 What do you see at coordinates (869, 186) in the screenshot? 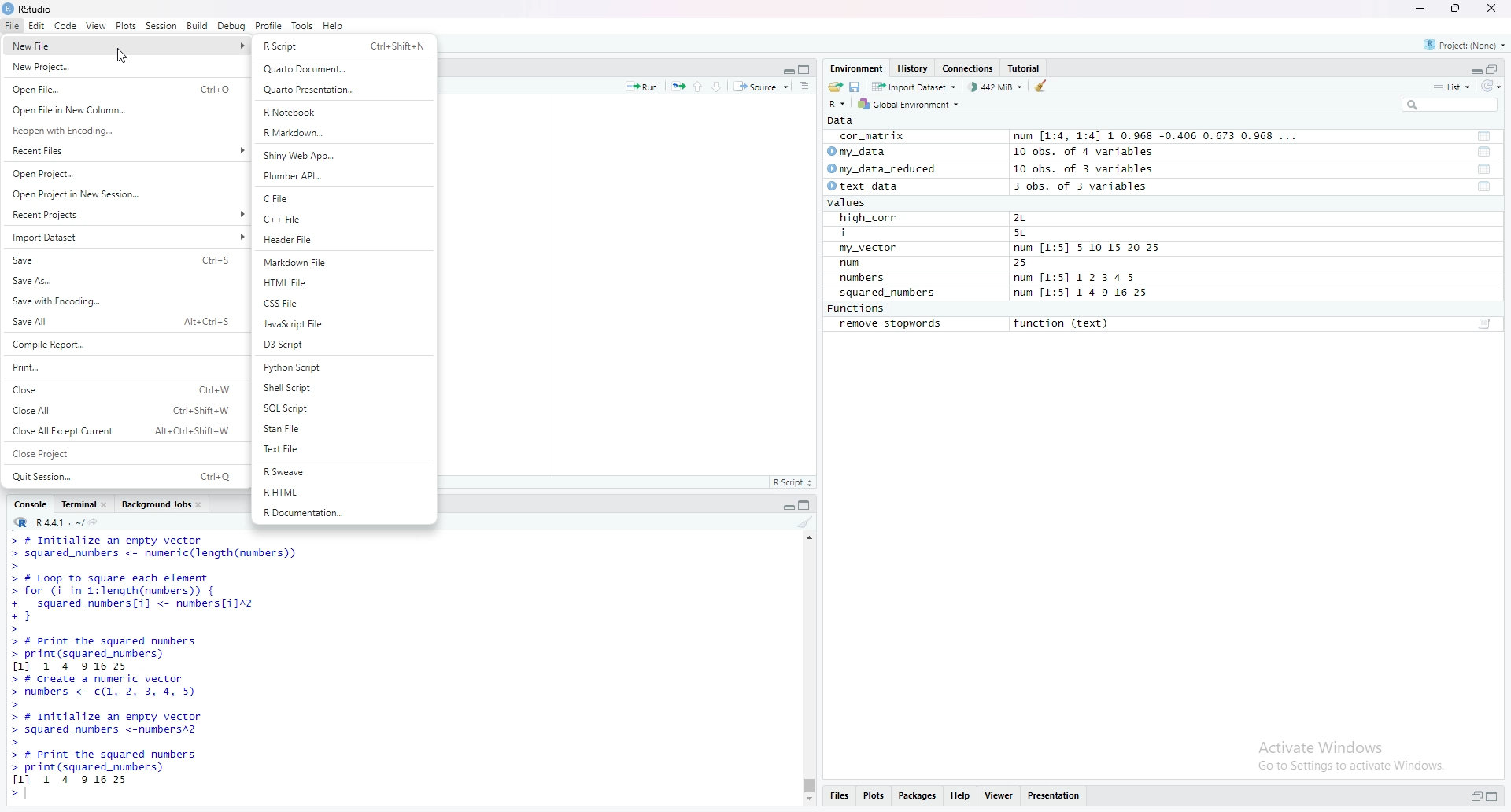
I see `text_data` at bounding box center [869, 186].